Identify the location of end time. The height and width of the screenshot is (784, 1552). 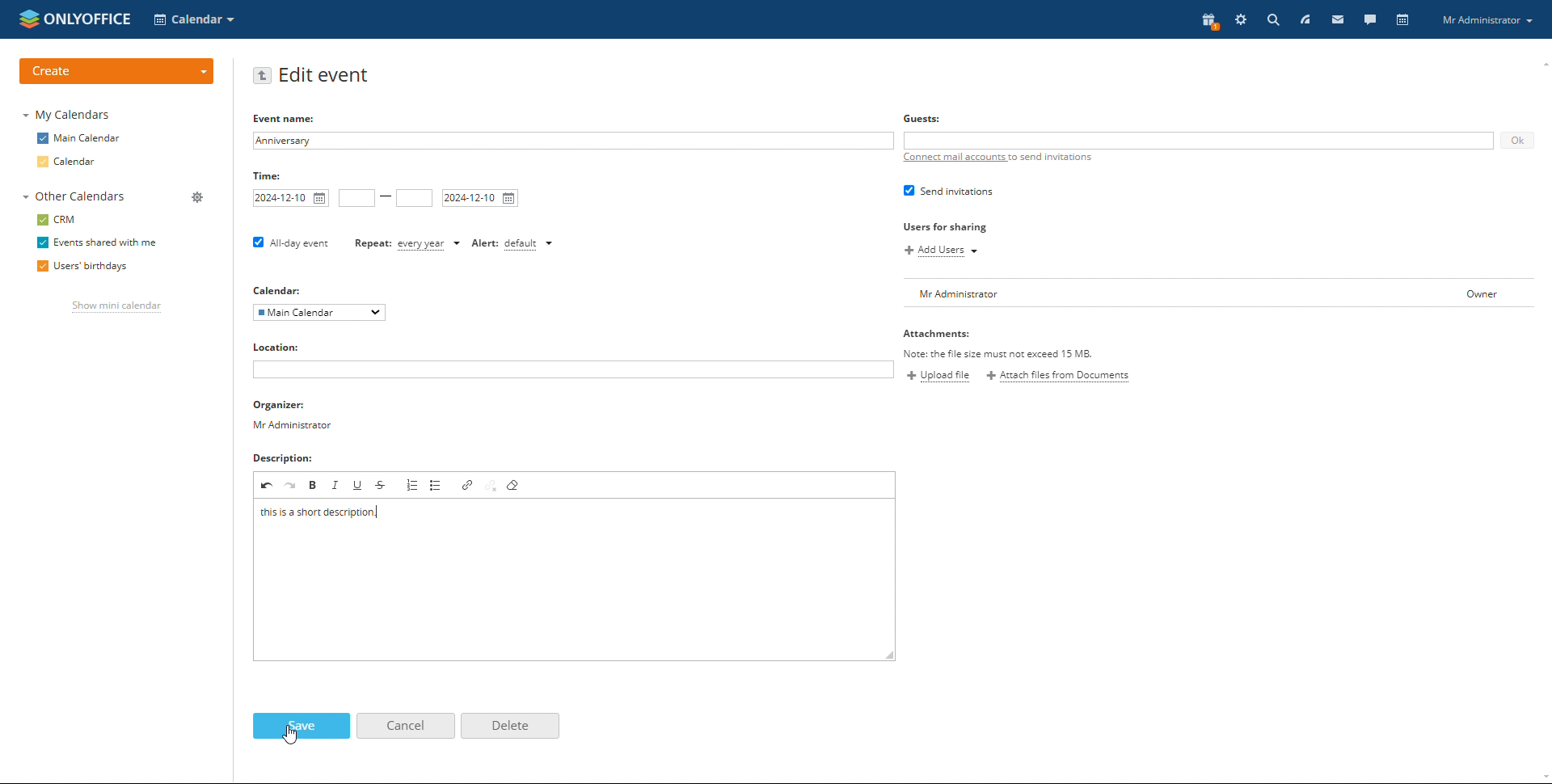
(415, 198).